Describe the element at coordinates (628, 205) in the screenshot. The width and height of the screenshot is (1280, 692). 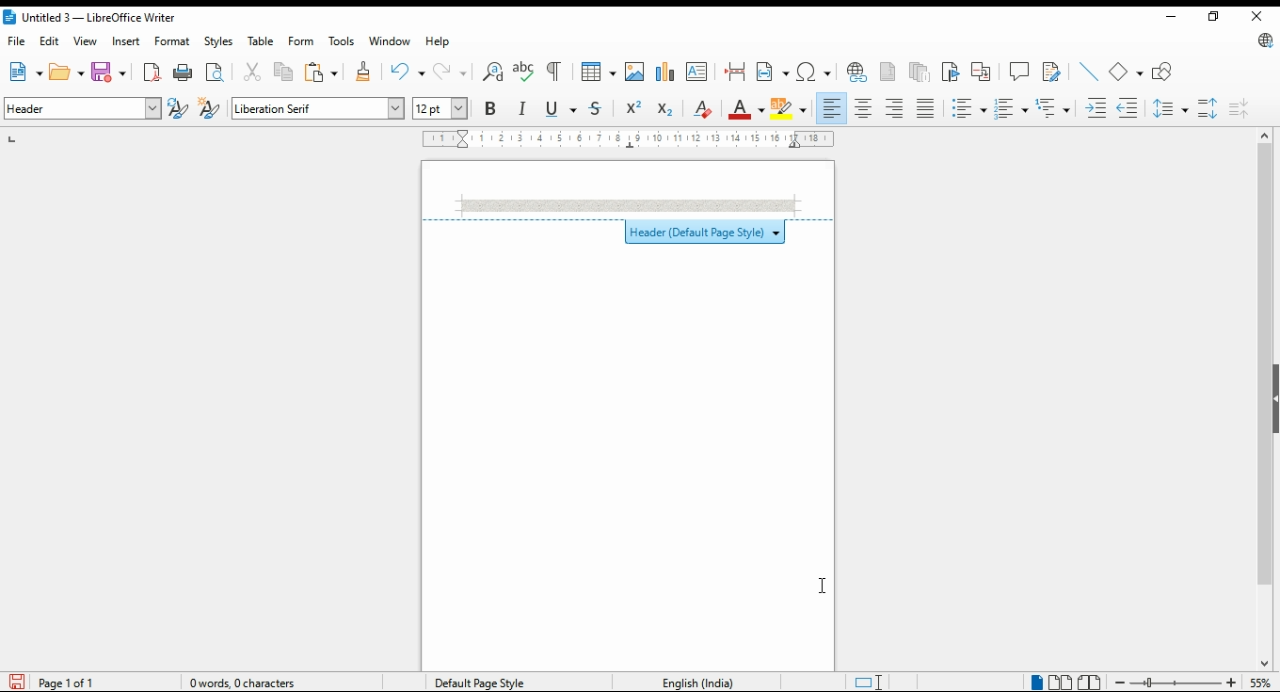
I see `Header image` at that location.